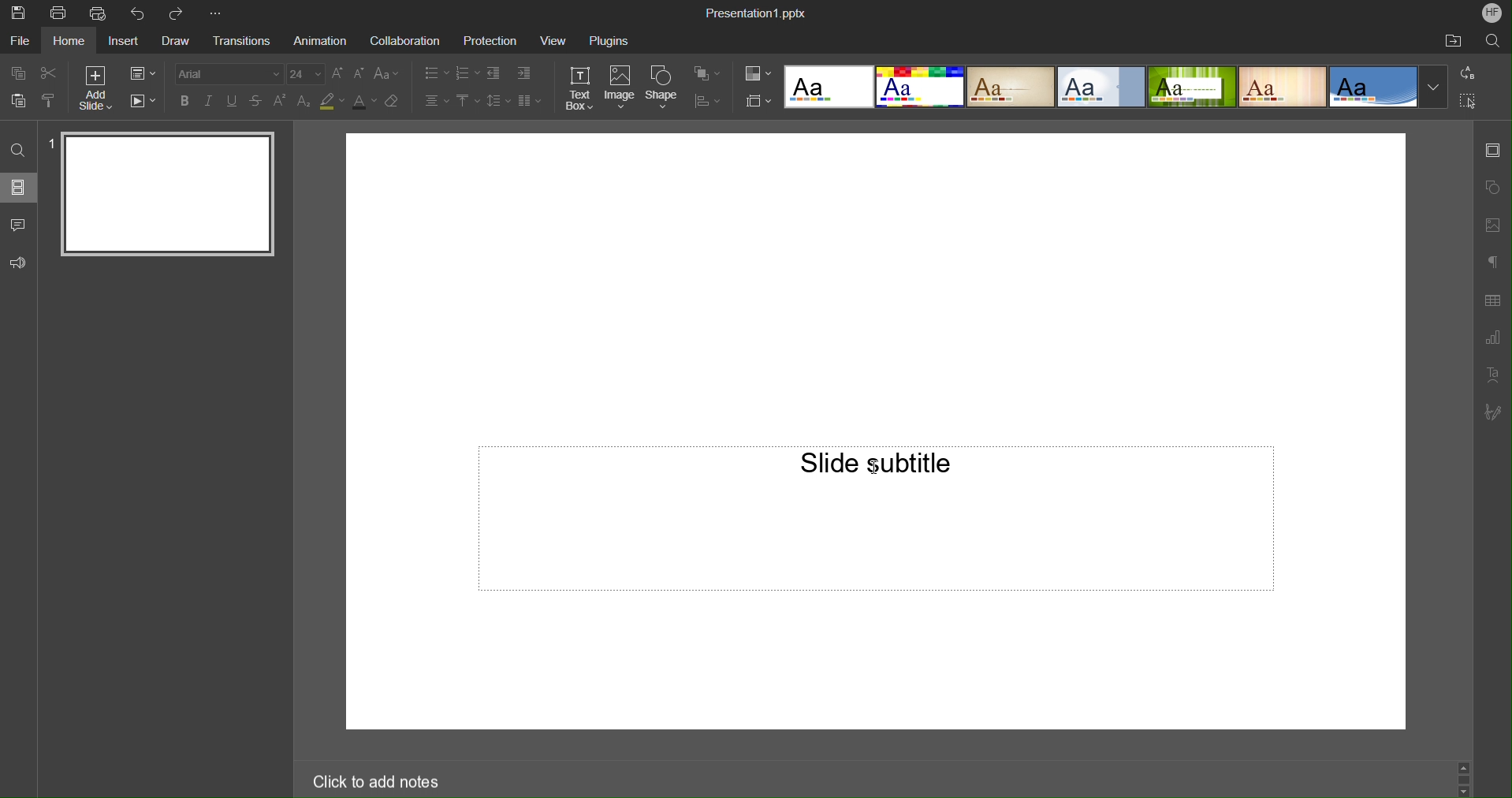 The width and height of the screenshot is (1512, 798). What do you see at coordinates (1492, 412) in the screenshot?
I see `Signature` at bounding box center [1492, 412].